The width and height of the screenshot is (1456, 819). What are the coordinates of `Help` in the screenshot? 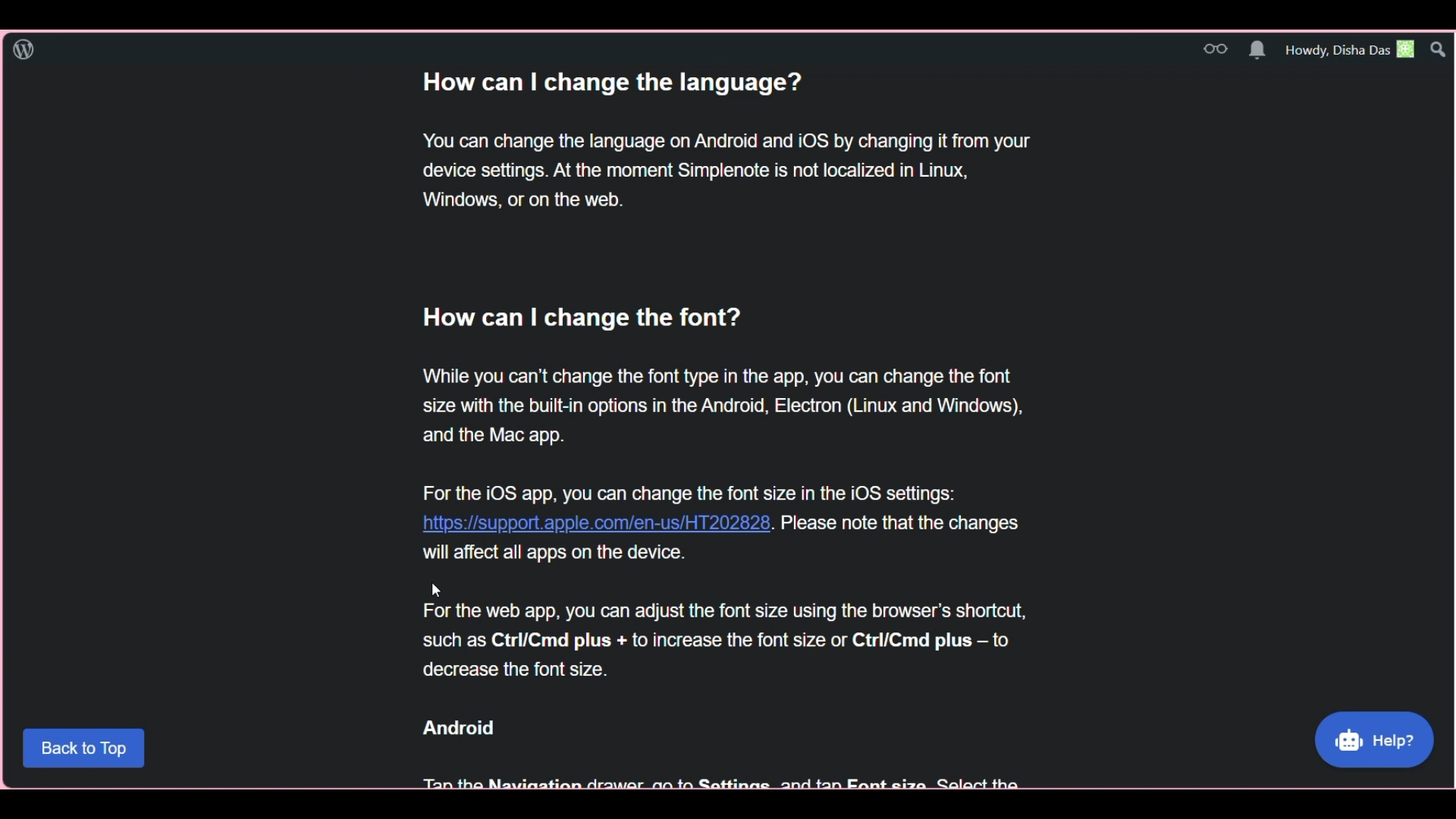 It's located at (1375, 740).